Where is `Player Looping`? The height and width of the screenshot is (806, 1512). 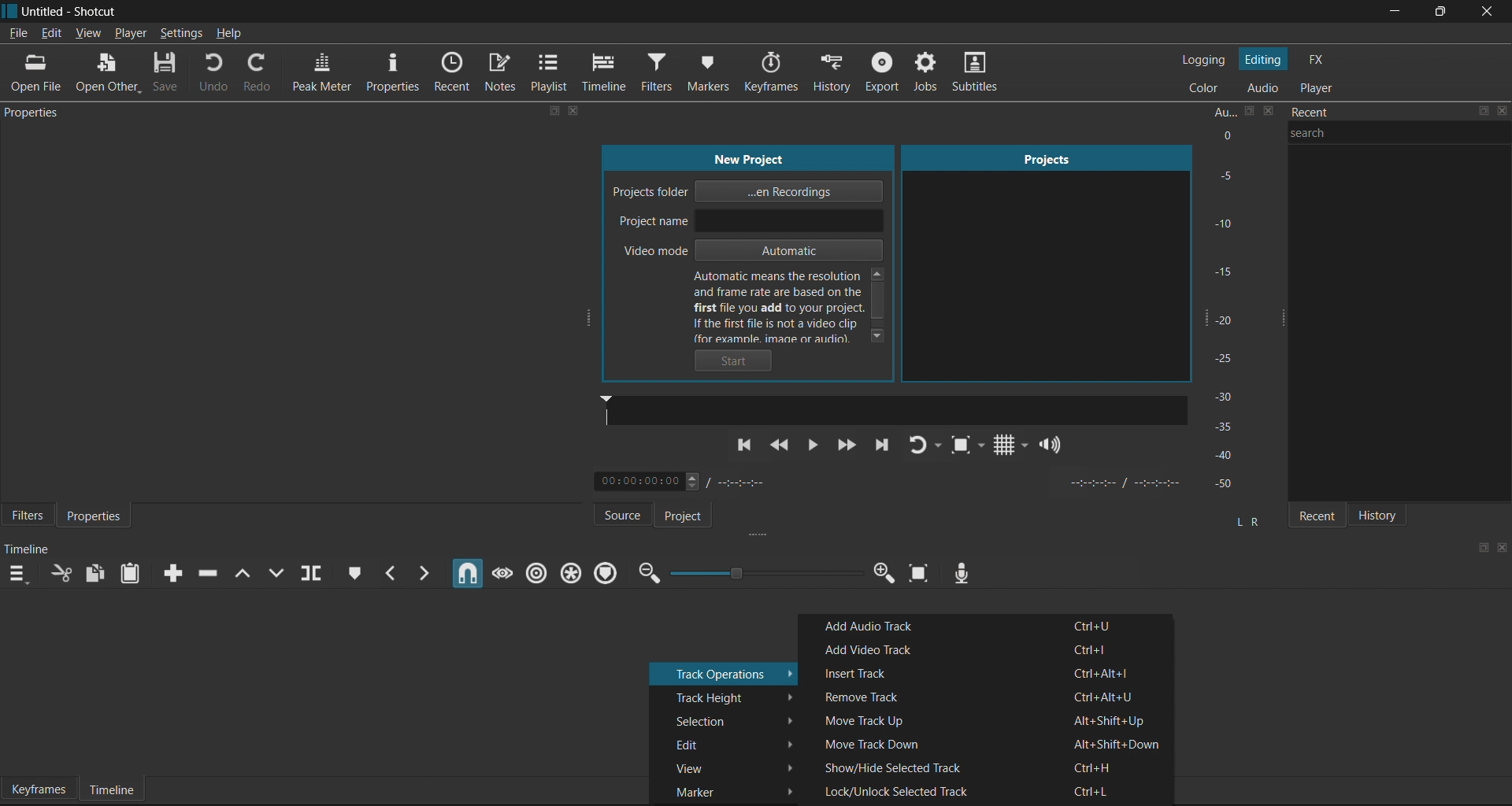 Player Looping is located at coordinates (926, 447).